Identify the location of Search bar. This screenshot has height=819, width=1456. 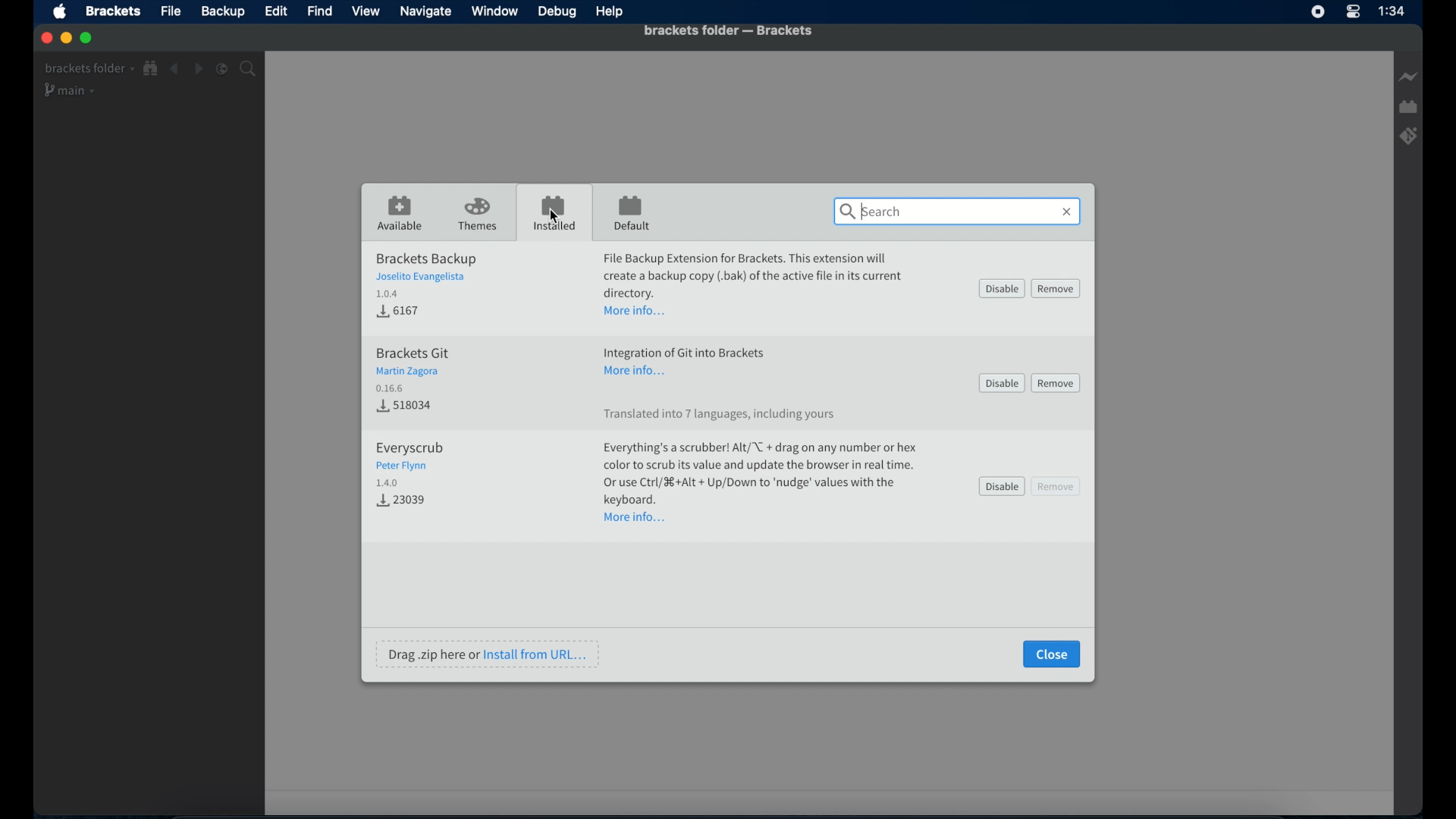
(248, 69).